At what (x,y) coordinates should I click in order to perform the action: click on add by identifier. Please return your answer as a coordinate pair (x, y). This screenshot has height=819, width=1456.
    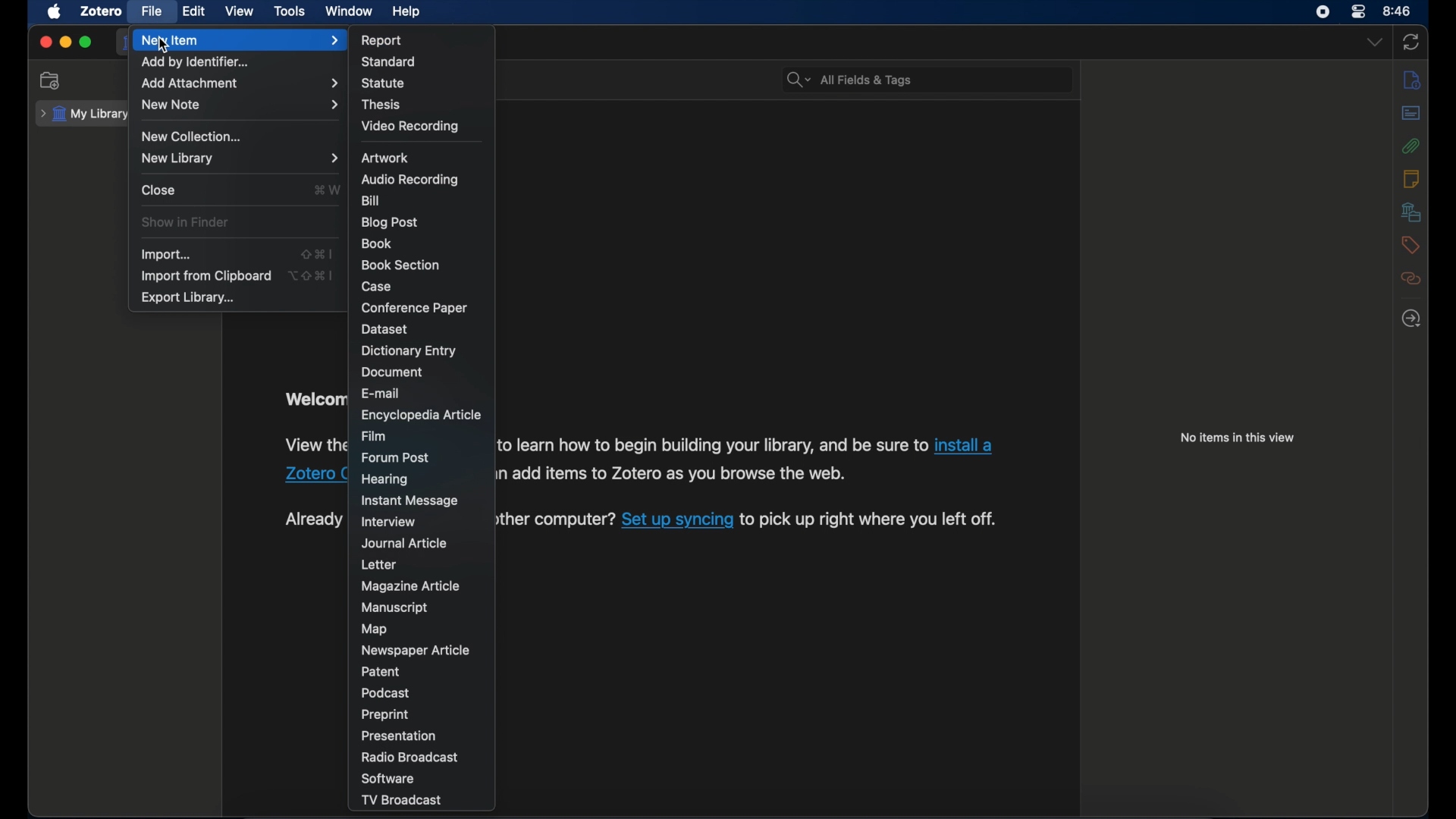
    Looking at the image, I should click on (195, 62).